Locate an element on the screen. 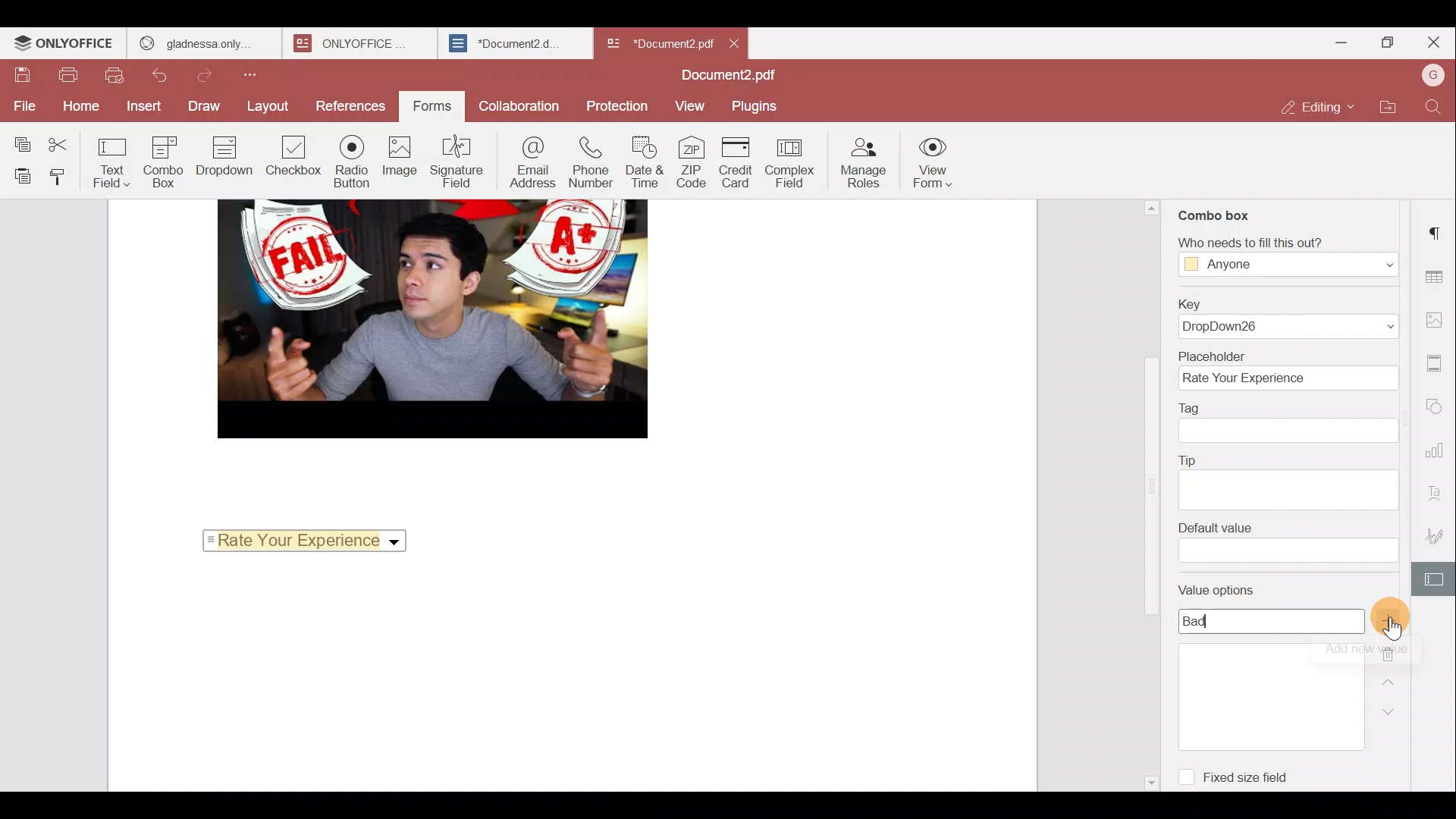 Image resolution: width=1456 pixels, height=819 pixels. Cursor is located at coordinates (1392, 616).